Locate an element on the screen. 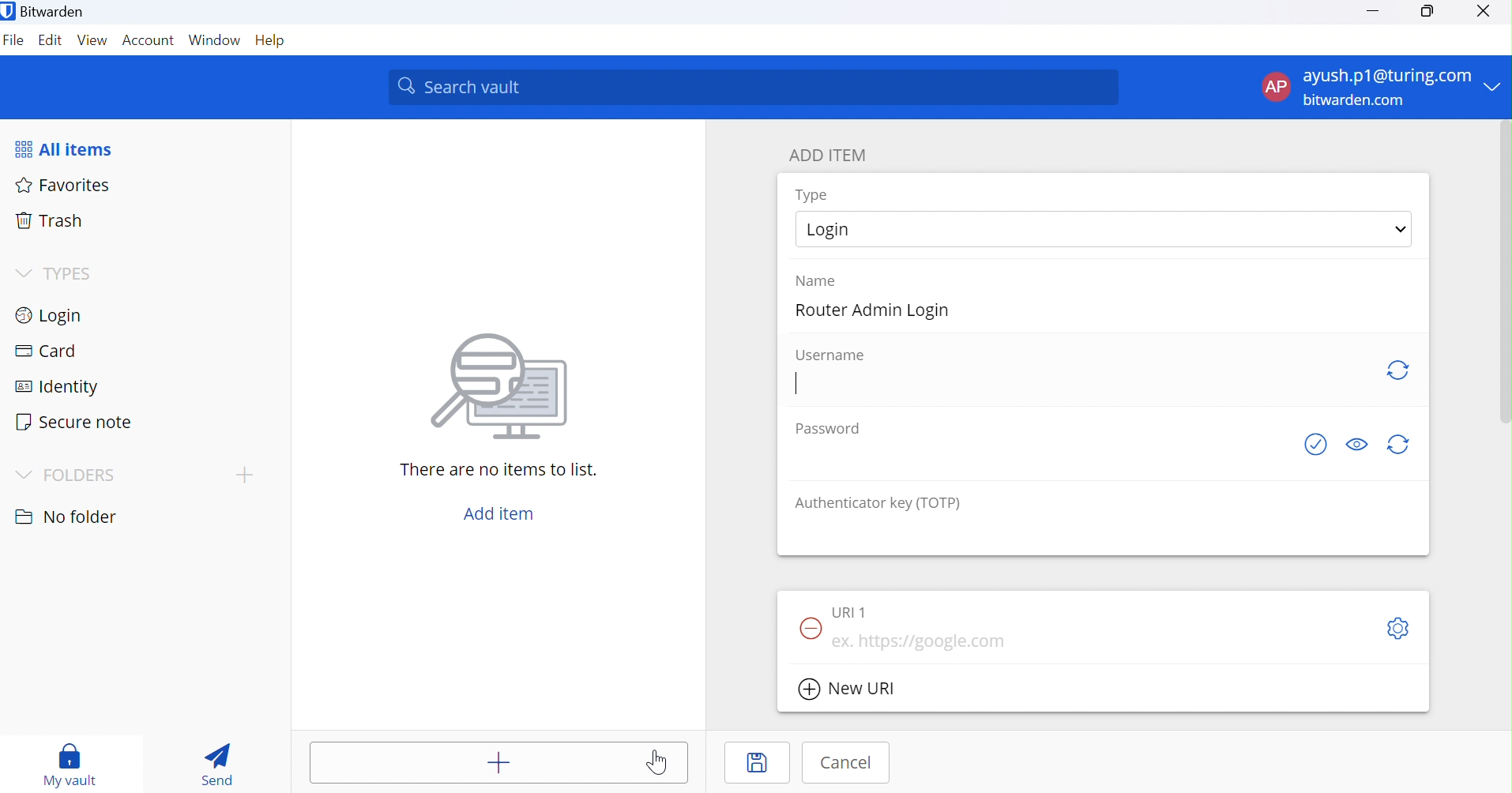 The image size is (1512, 793). add password is located at coordinates (1038, 458).